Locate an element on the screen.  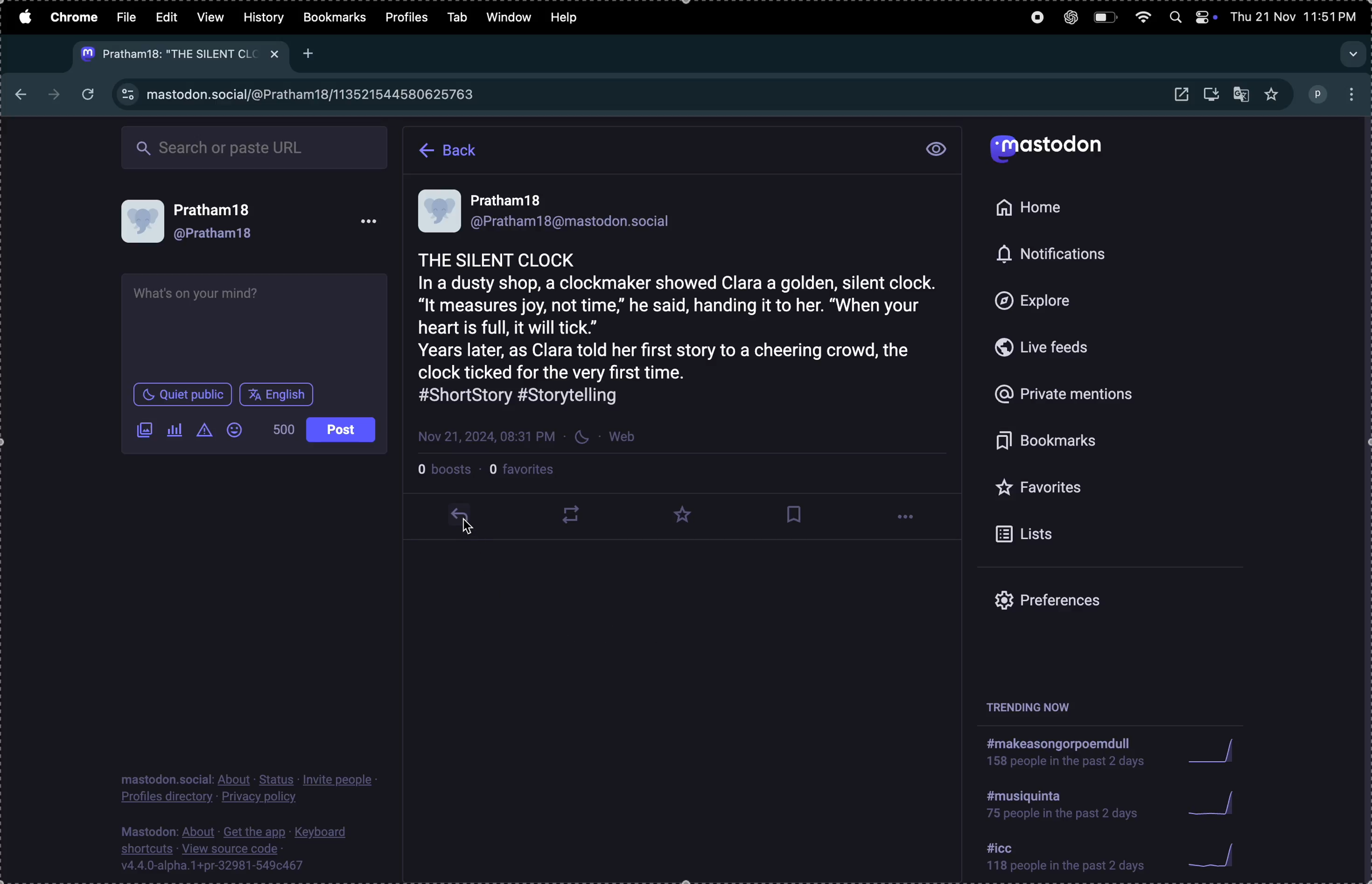
mastodon tab is located at coordinates (177, 55).